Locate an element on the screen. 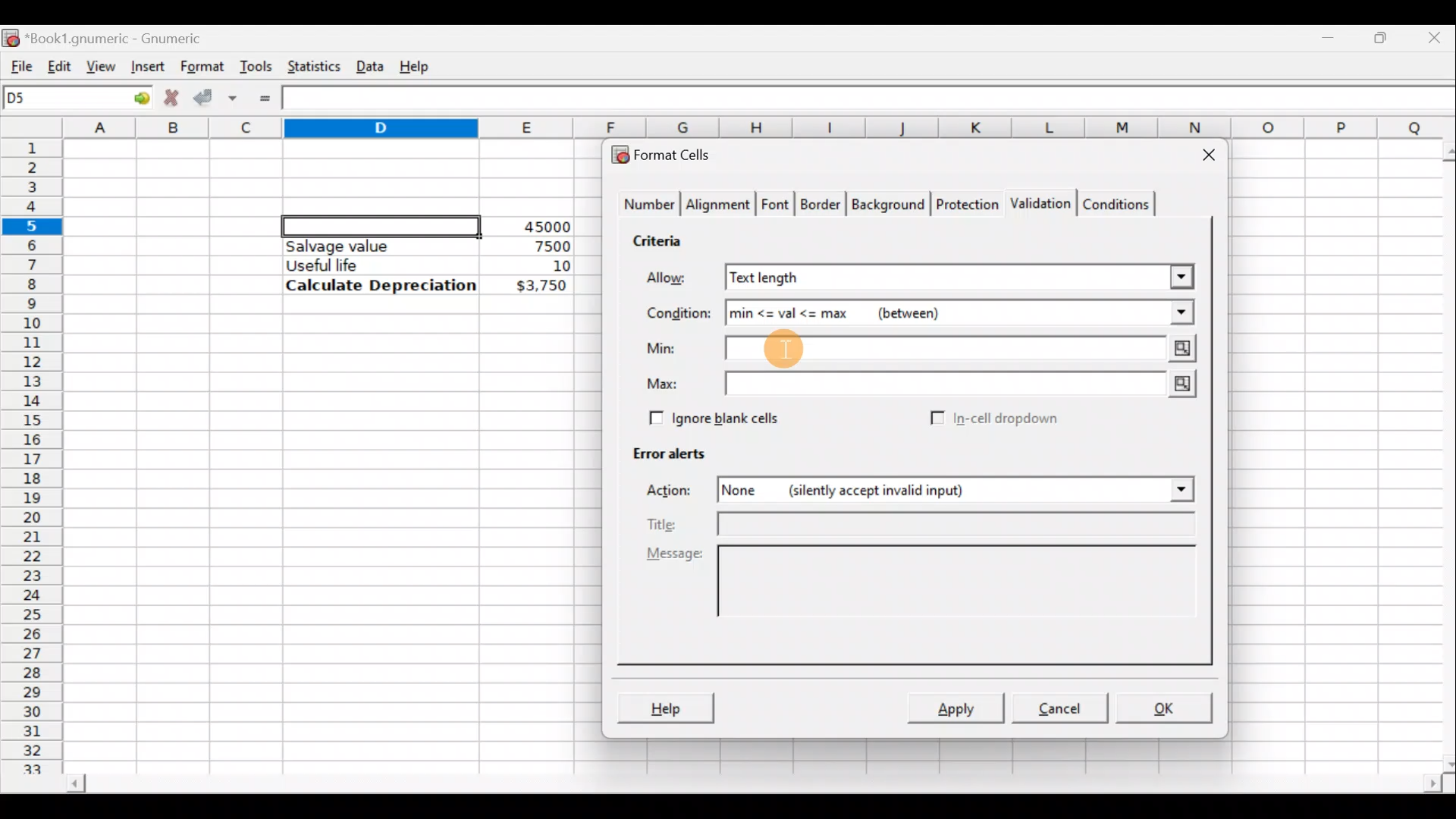 This screenshot has height=819, width=1456. Rows is located at coordinates (33, 448).